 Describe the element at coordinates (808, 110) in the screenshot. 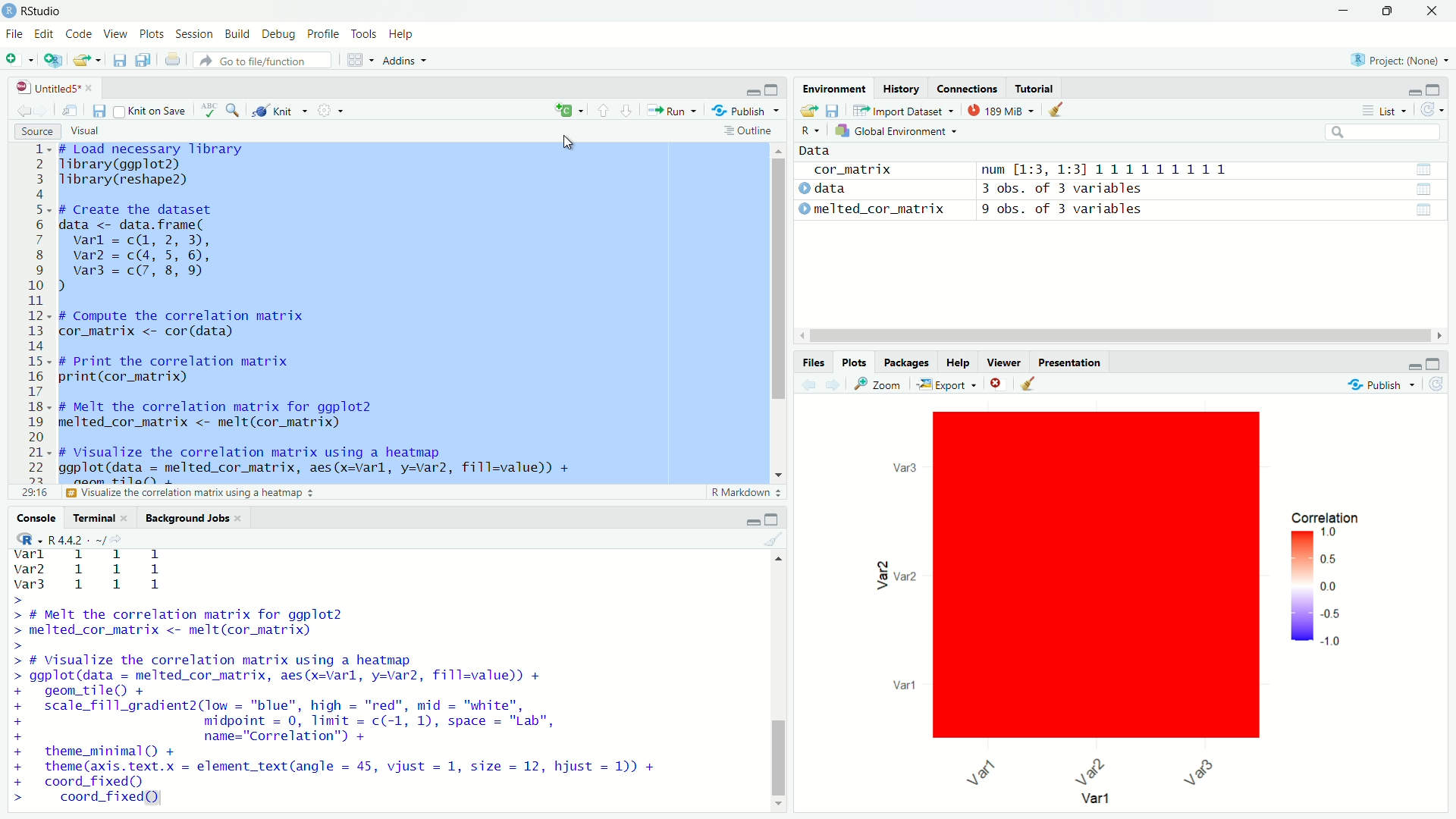

I see `load workspace` at that location.